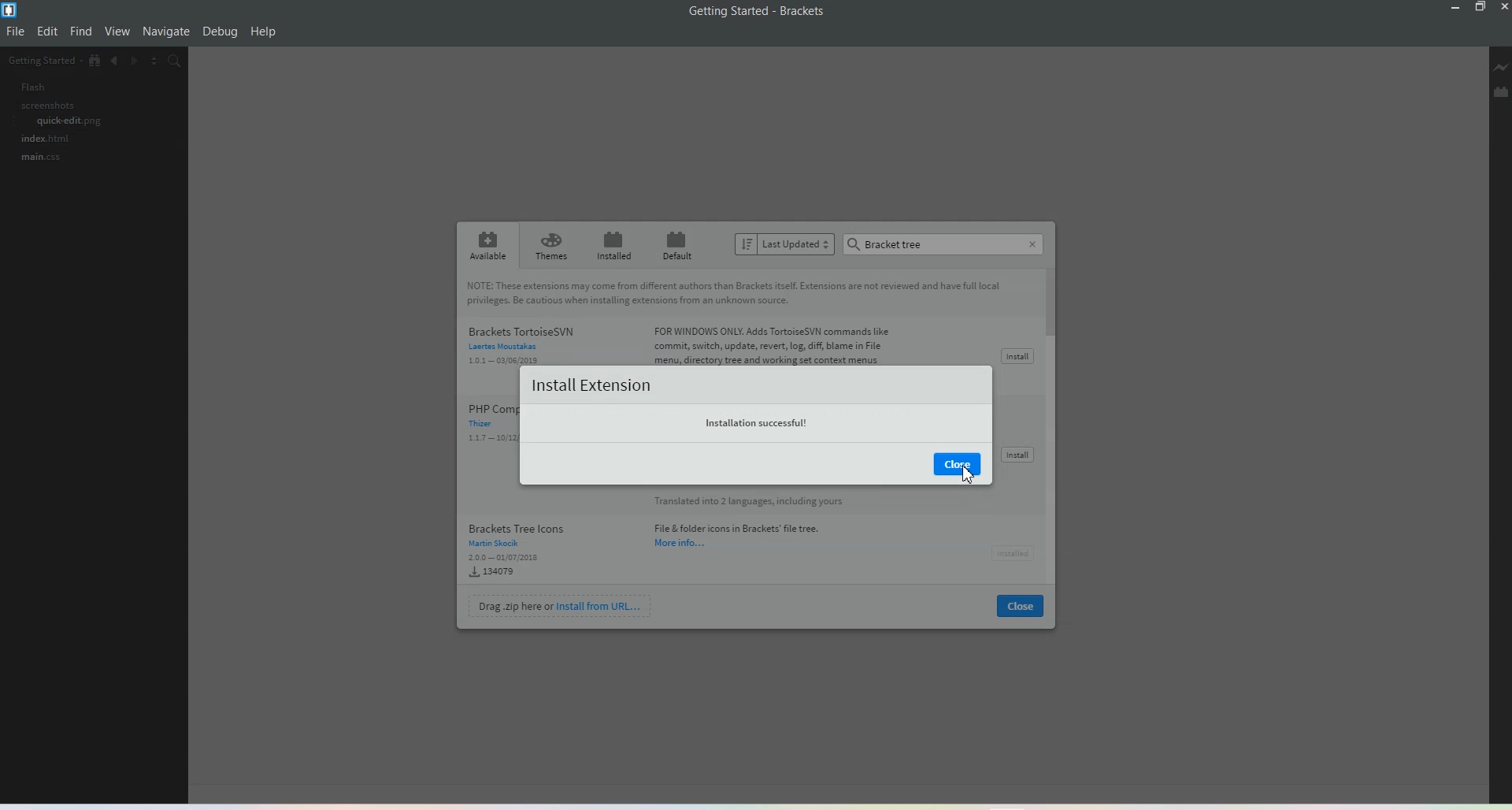  Describe the element at coordinates (785, 244) in the screenshot. I see `Sort Last Update` at that location.